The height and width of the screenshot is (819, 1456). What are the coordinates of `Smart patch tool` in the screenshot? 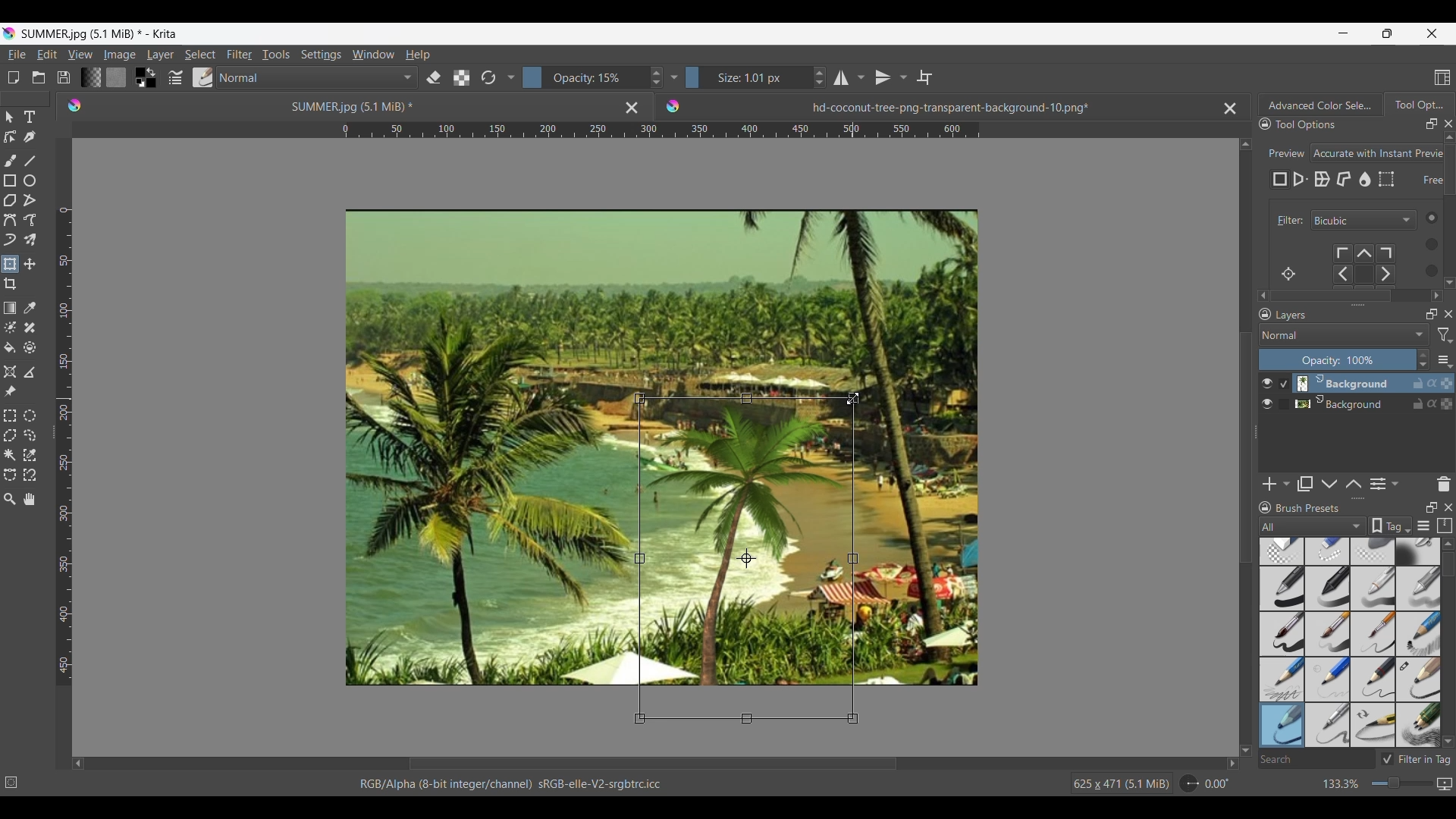 It's located at (30, 327).